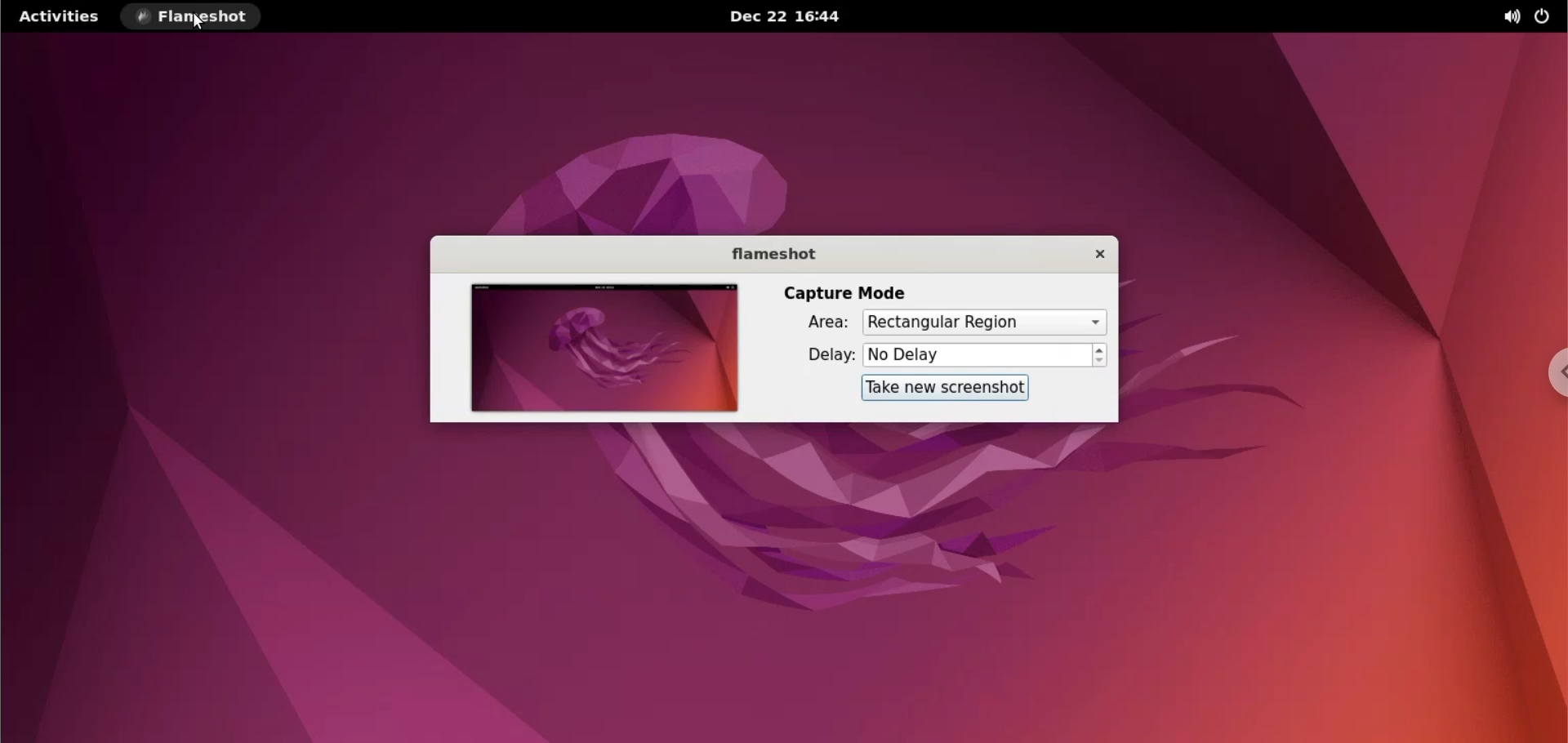 The width and height of the screenshot is (1568, 743). I want to click on Dec 22 16:44, so click(791, 16).